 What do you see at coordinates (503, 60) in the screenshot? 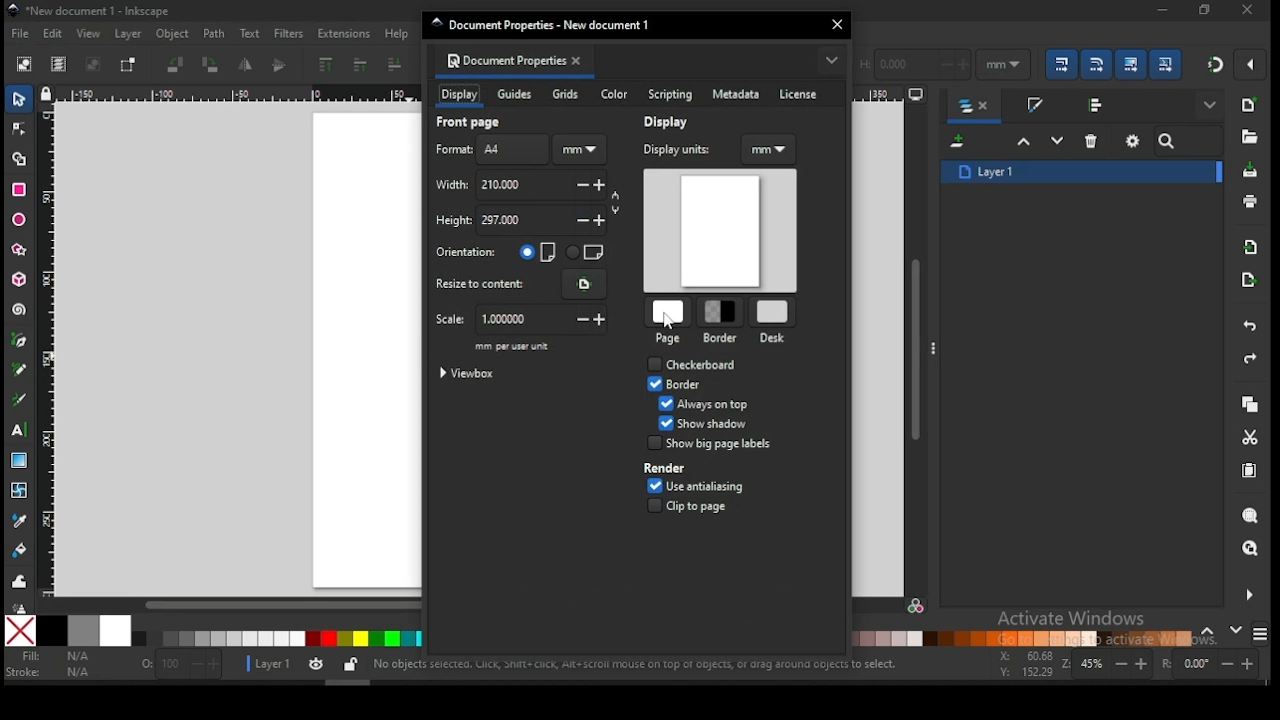
I see `document properties` at bounding box center [503, 60].